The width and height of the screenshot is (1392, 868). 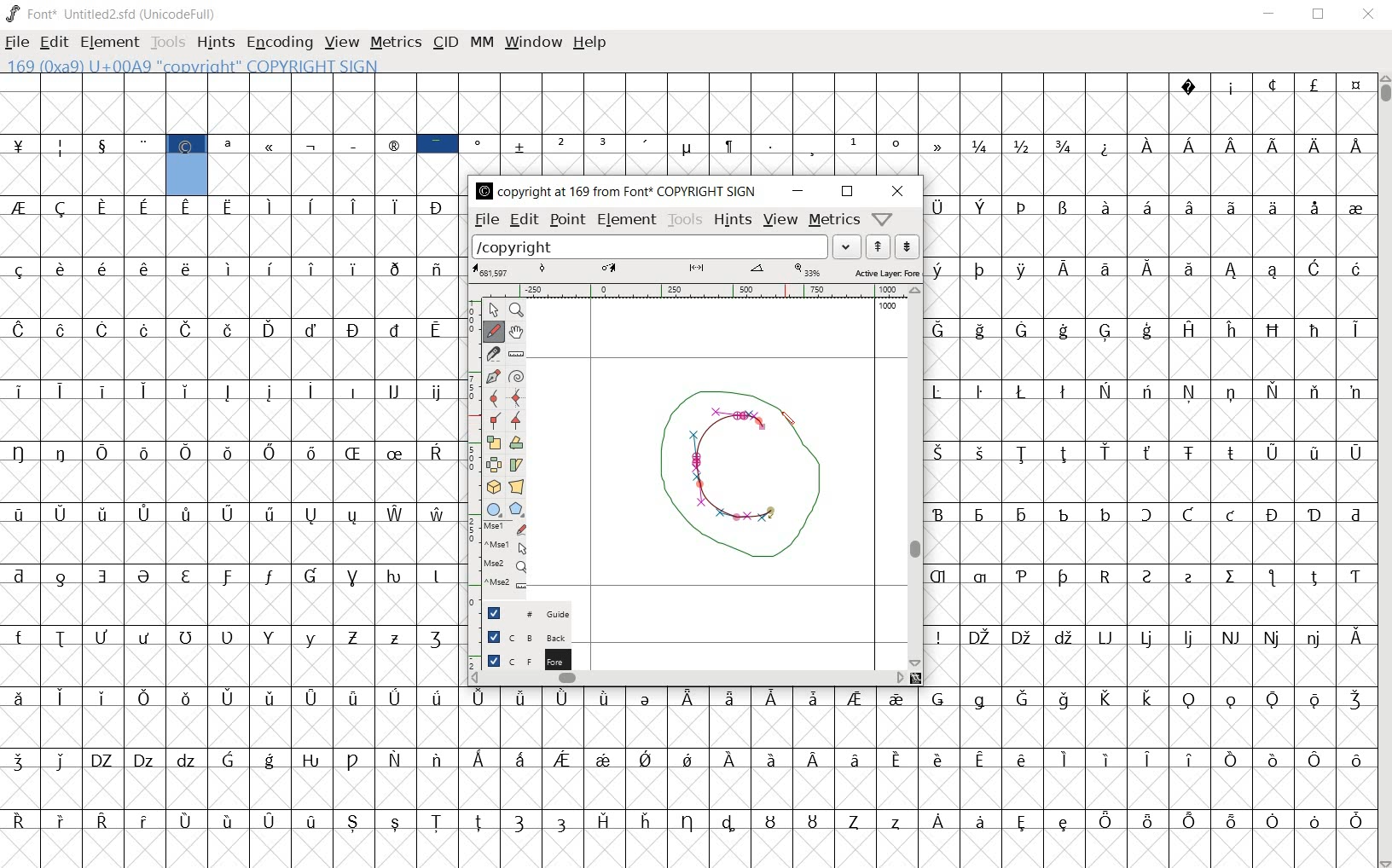 I want to click on Help/Window, so click(x=884, y=218).